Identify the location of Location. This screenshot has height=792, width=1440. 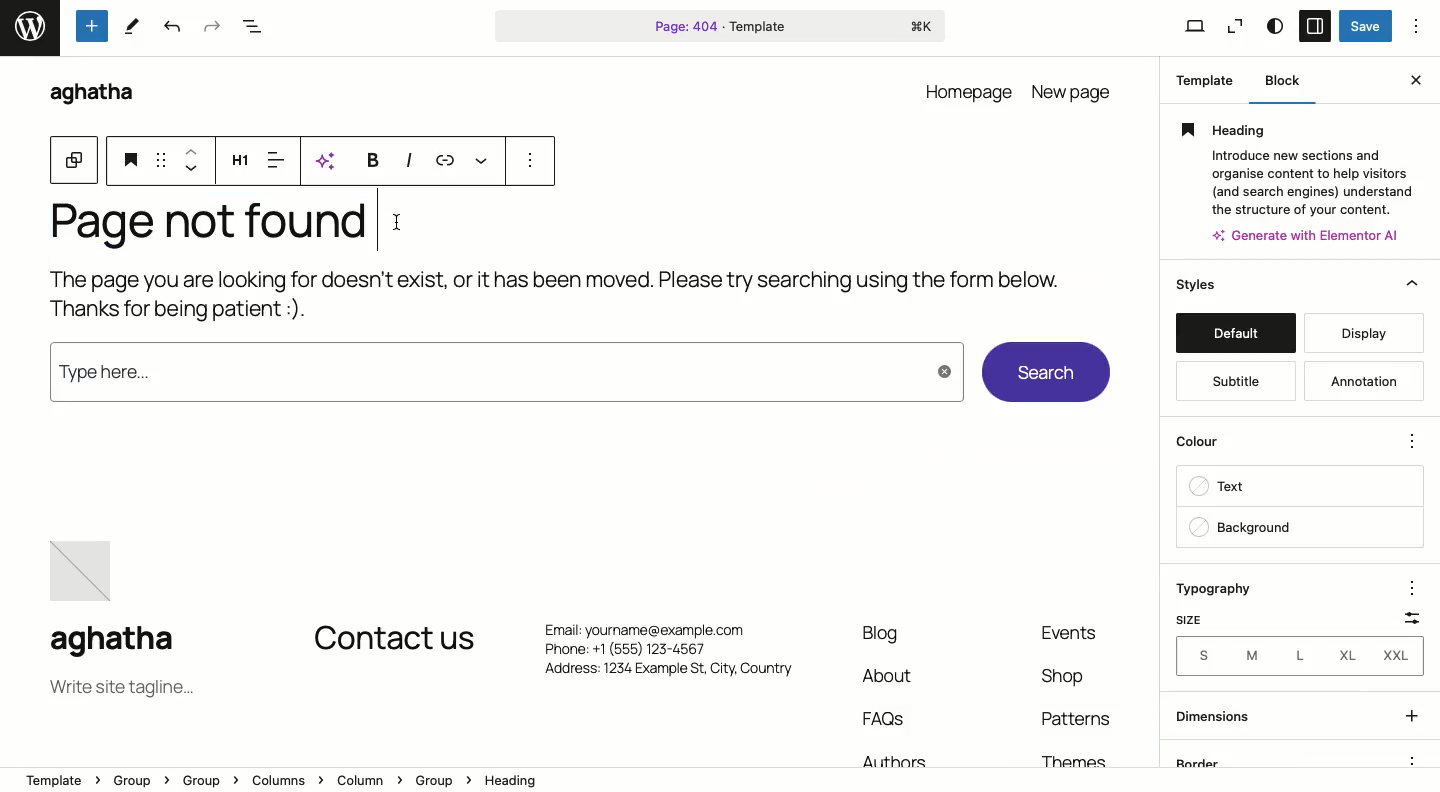
(721, 782).